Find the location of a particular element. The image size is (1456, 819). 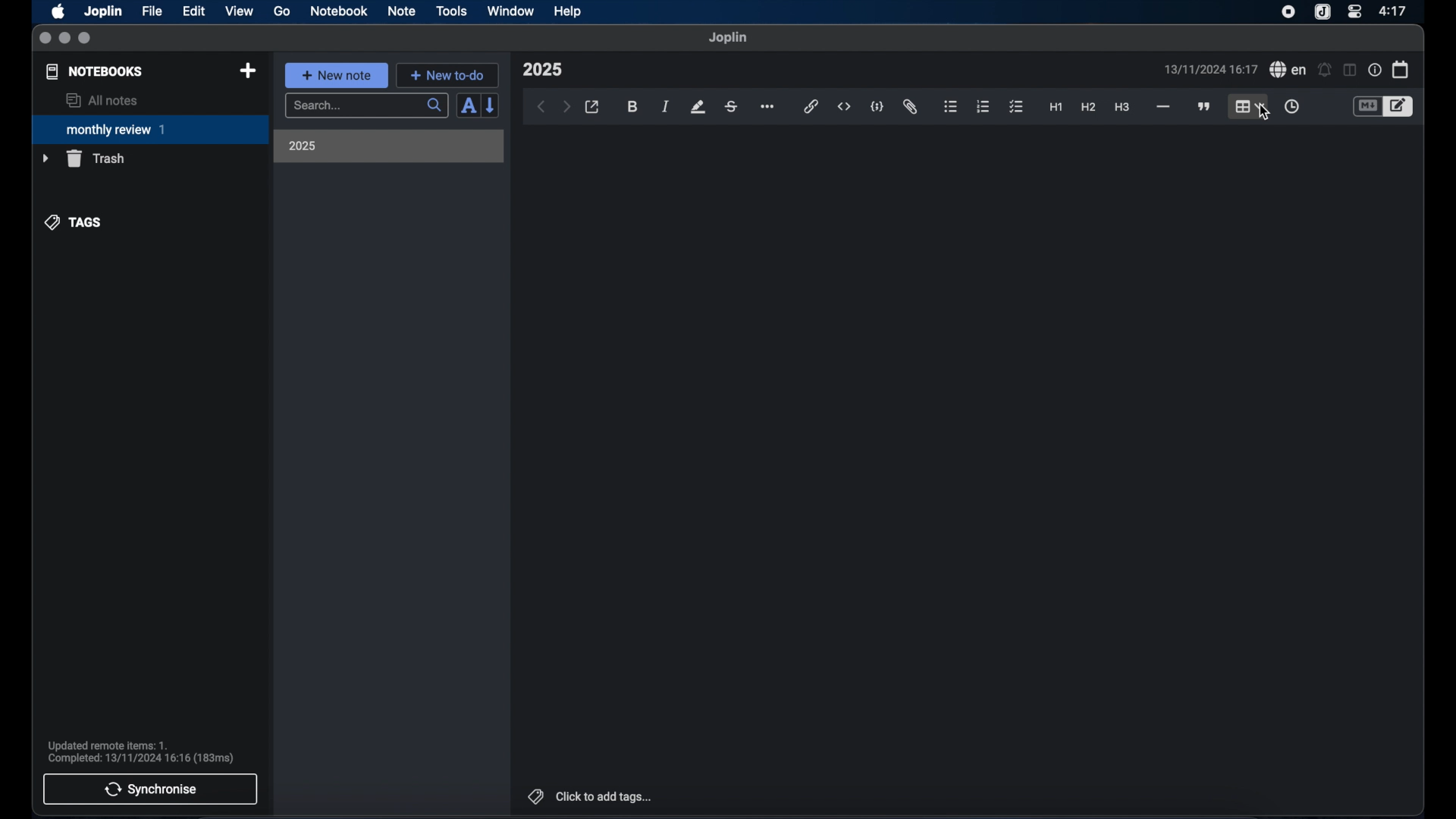

reverse sort order is located at coordinates (491, 105).